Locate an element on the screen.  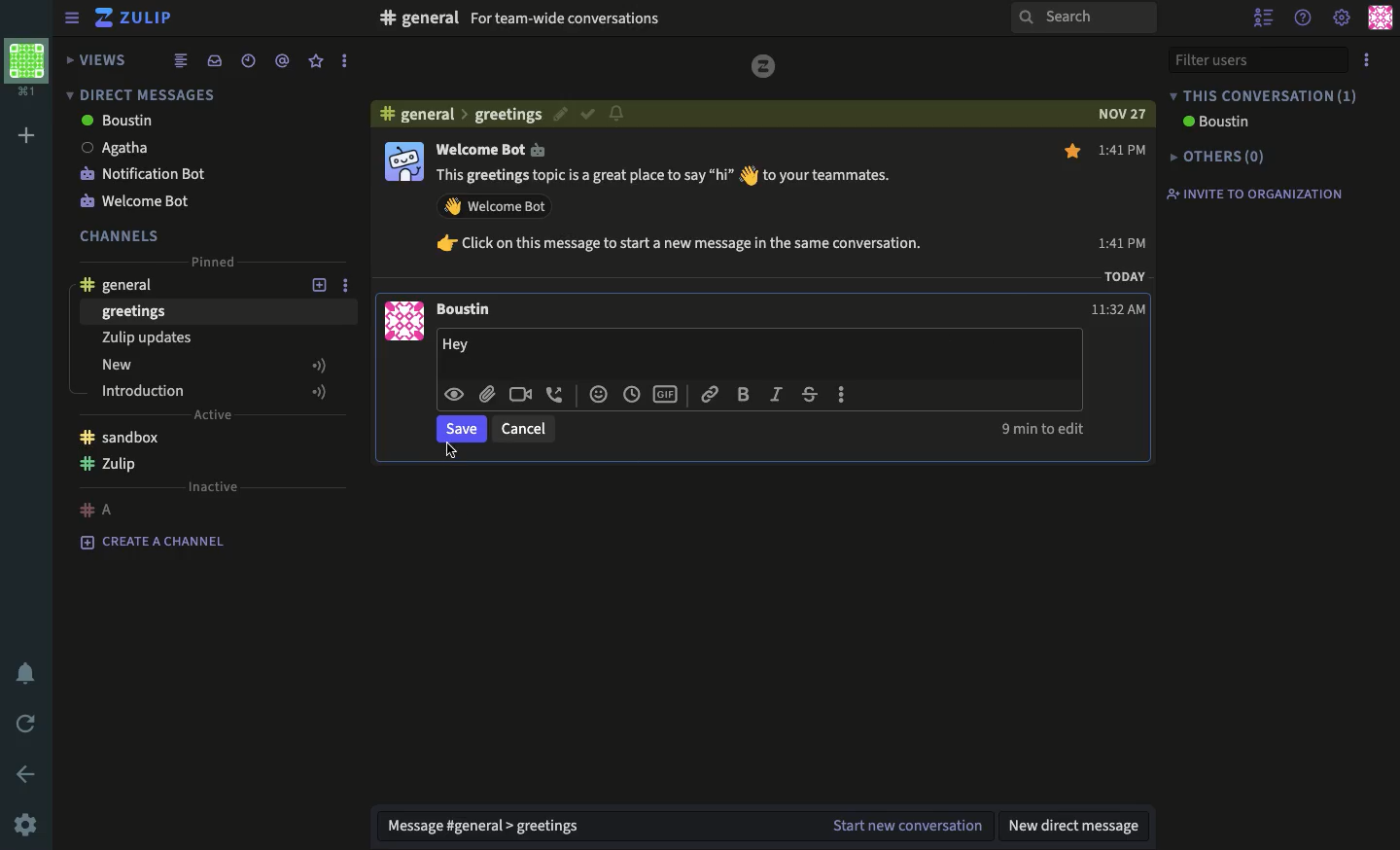
back is located at coordinates (29, 773).